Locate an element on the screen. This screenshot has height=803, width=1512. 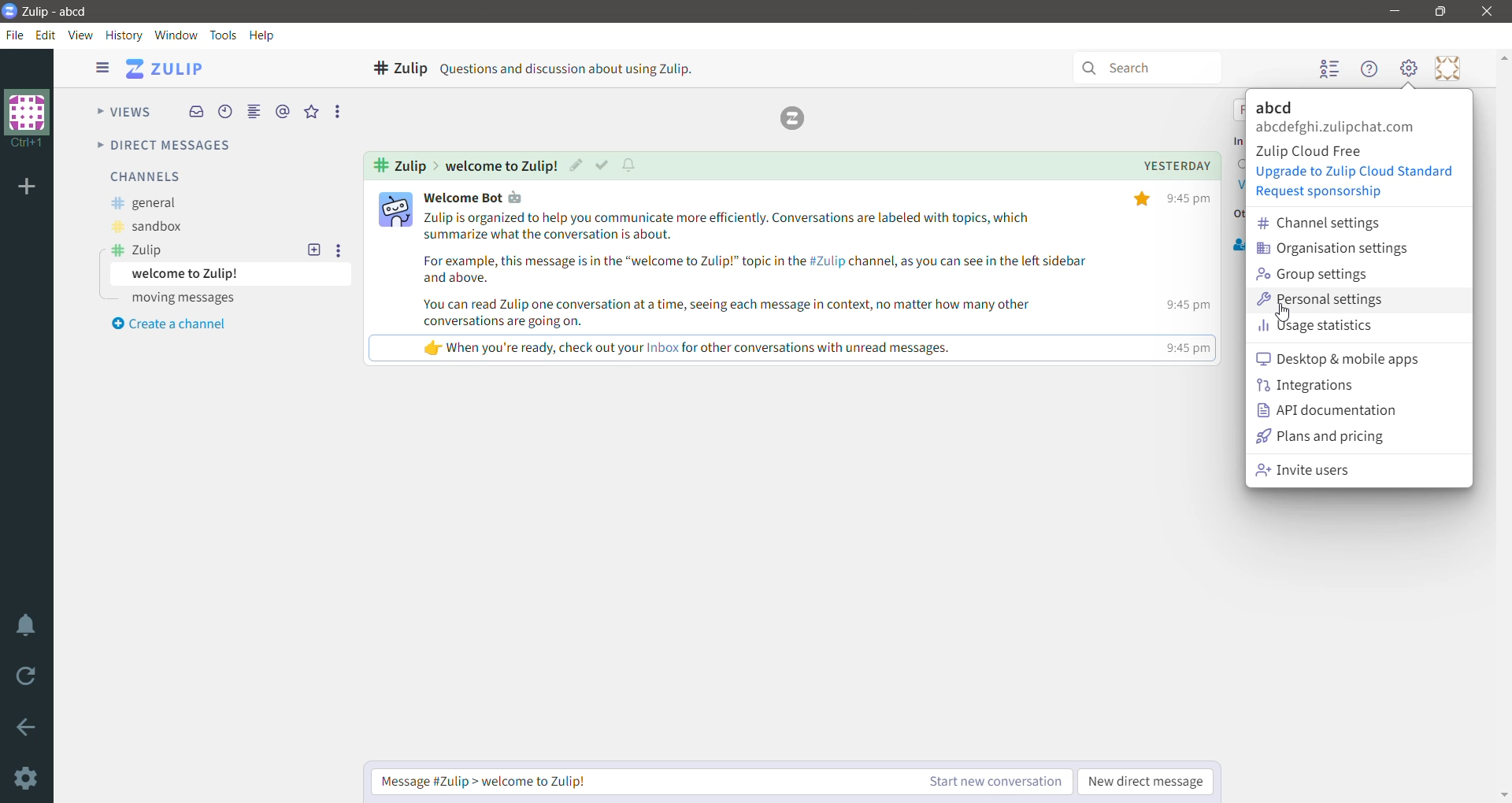
Help menu is located at coordinates (1369, 69).